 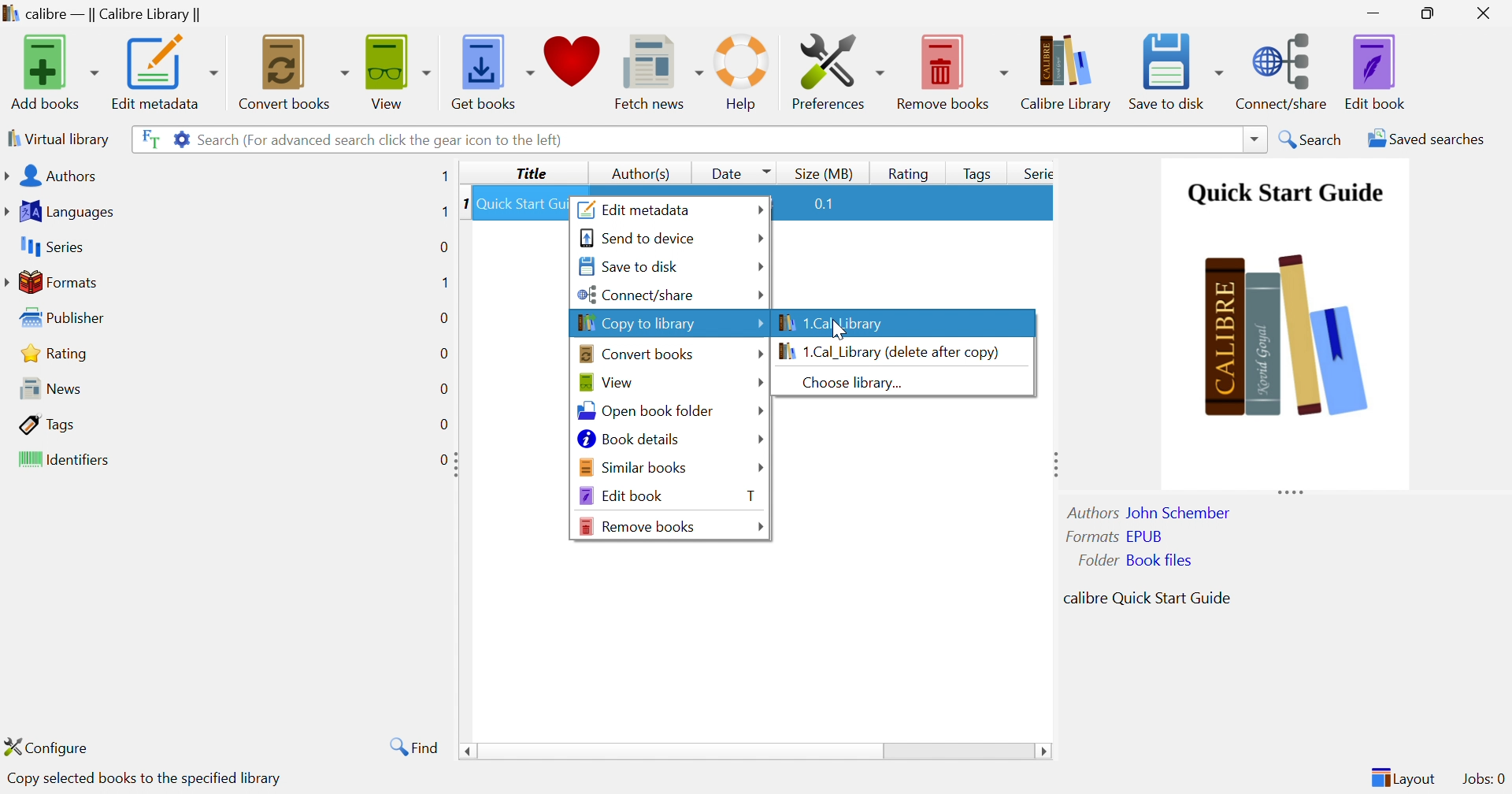 I want to click on Copy to library, so click(x=637, y=321).